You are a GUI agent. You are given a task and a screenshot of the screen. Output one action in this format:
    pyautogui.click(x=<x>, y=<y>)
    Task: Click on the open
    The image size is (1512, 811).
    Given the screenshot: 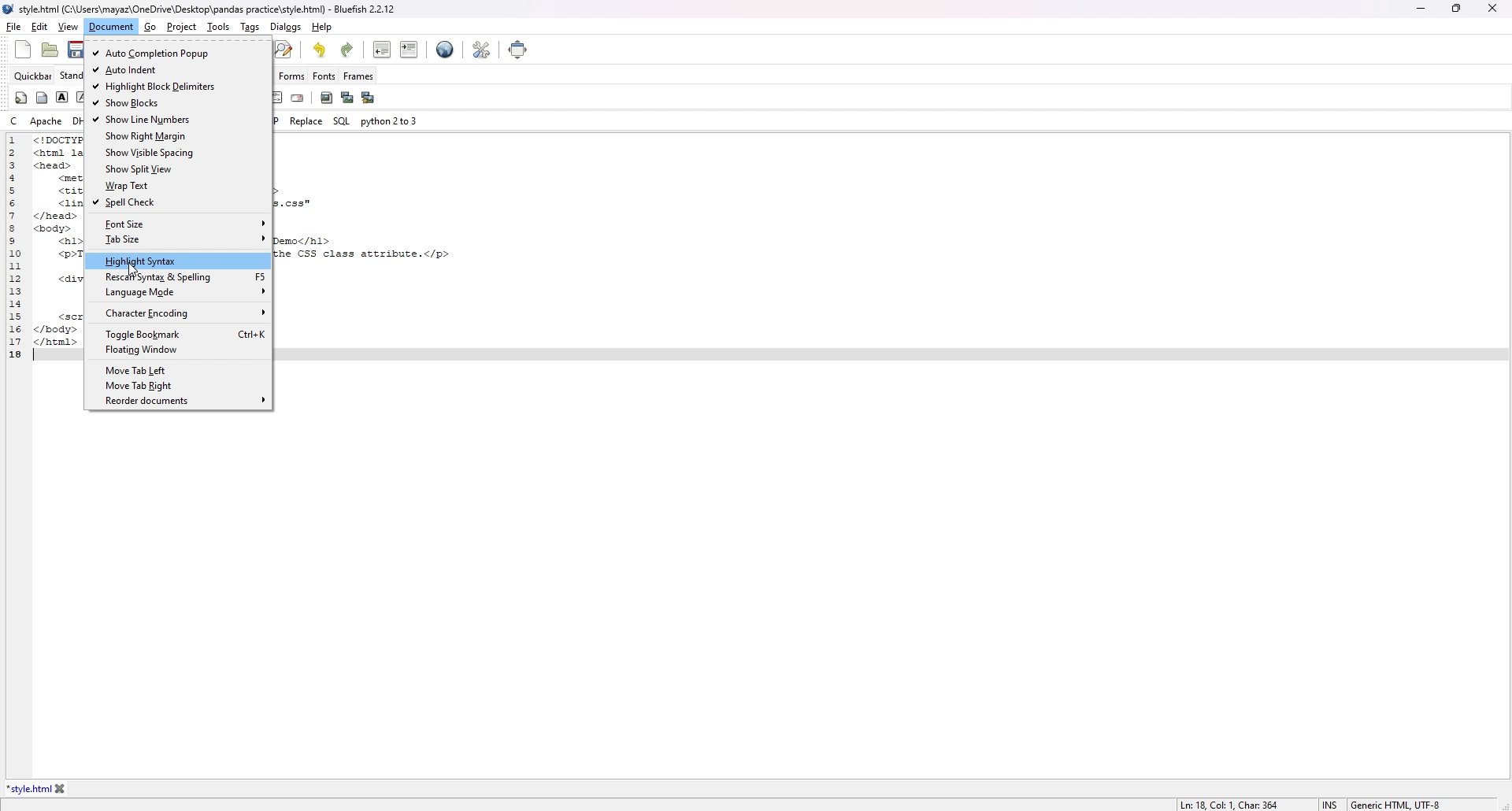 What is the action you would take?
    pyautogui.click(x=49, y=50)
    